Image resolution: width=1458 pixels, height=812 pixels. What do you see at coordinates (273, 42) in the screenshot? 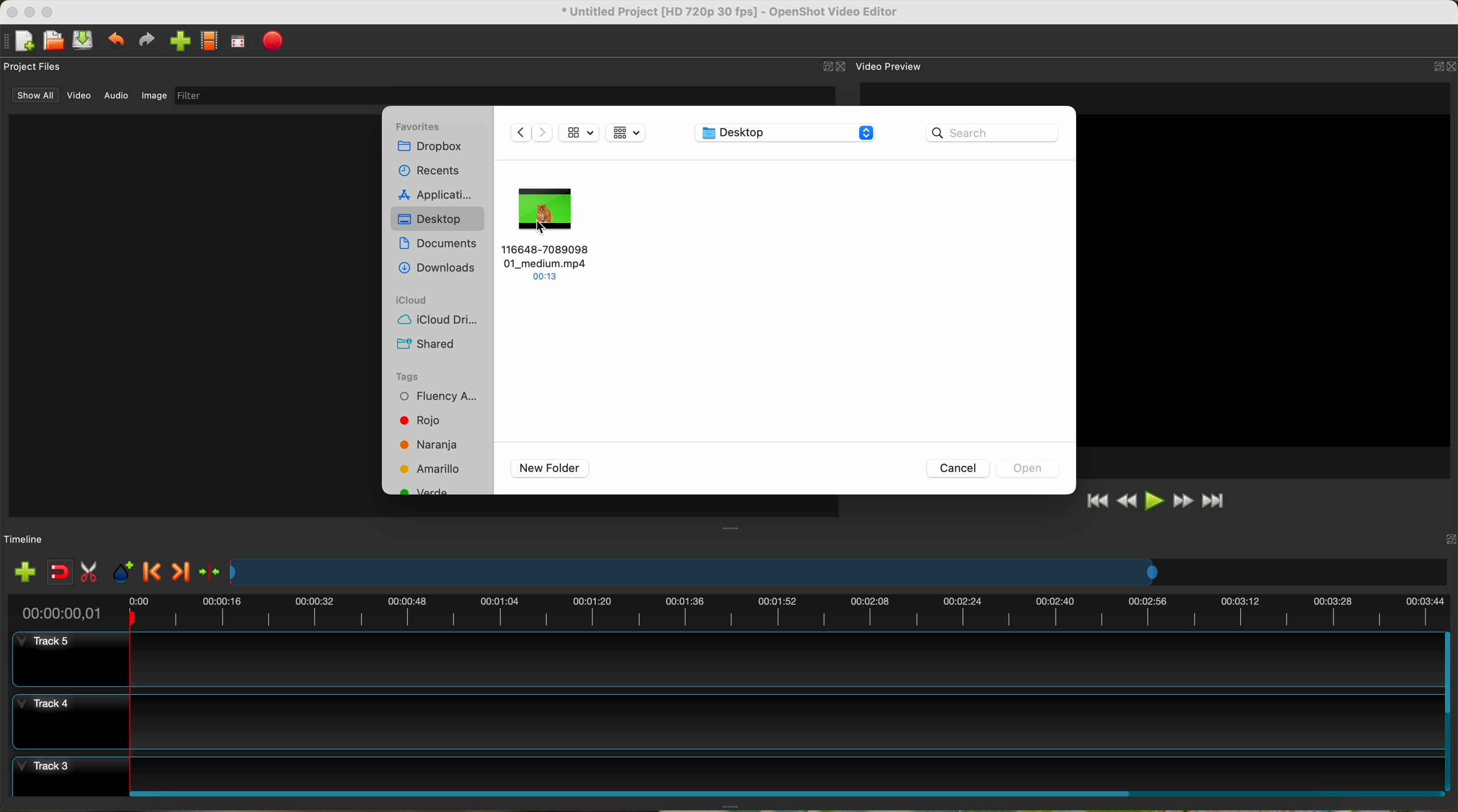
I see `export video` at bounding box center [273, 42].